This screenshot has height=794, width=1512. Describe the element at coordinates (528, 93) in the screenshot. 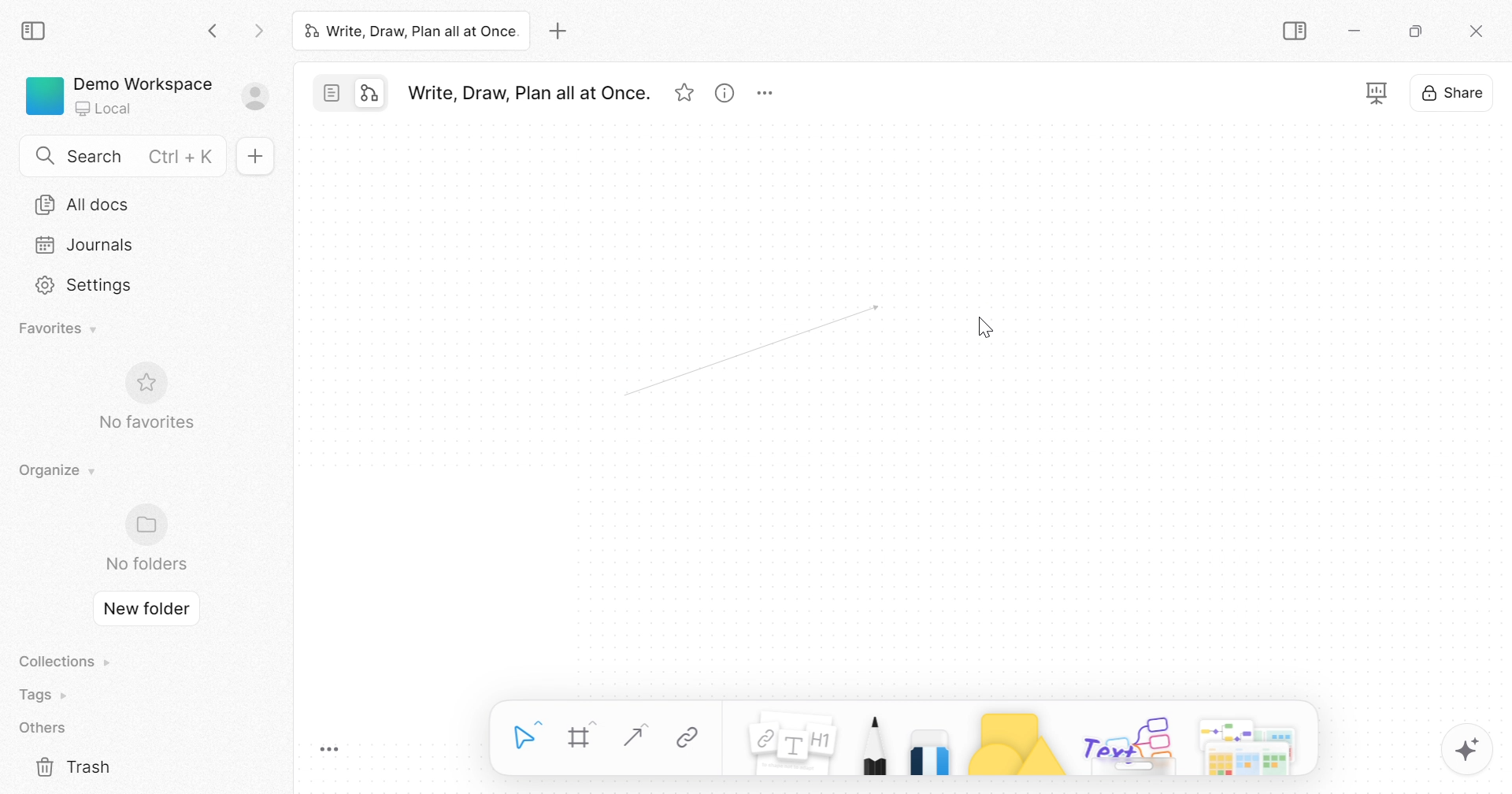

I see `Write, Draw, Plan all at Once.` at that location.